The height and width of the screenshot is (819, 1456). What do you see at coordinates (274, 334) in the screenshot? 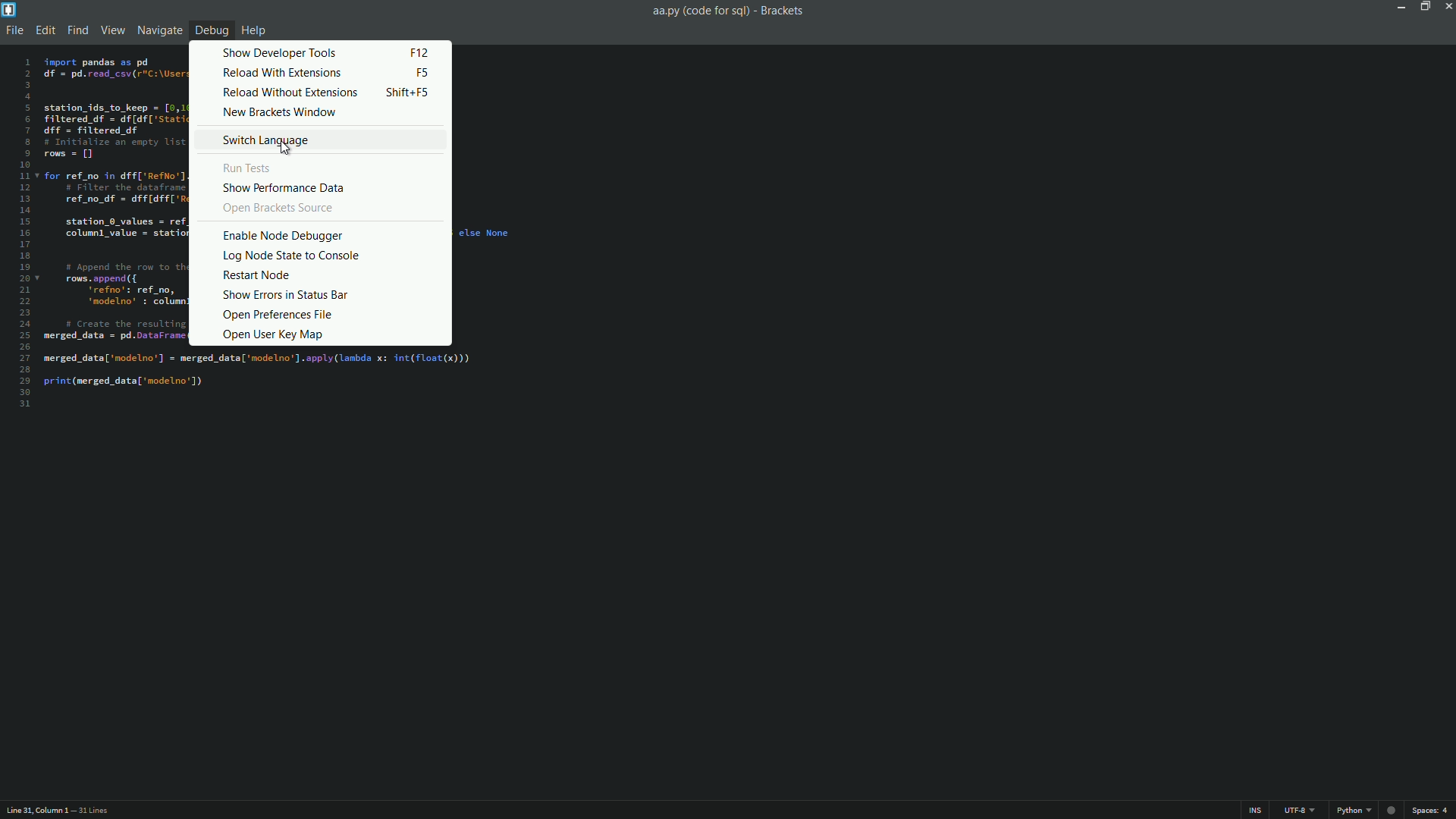
I see `open user key map` at bounding box center [274, 334].